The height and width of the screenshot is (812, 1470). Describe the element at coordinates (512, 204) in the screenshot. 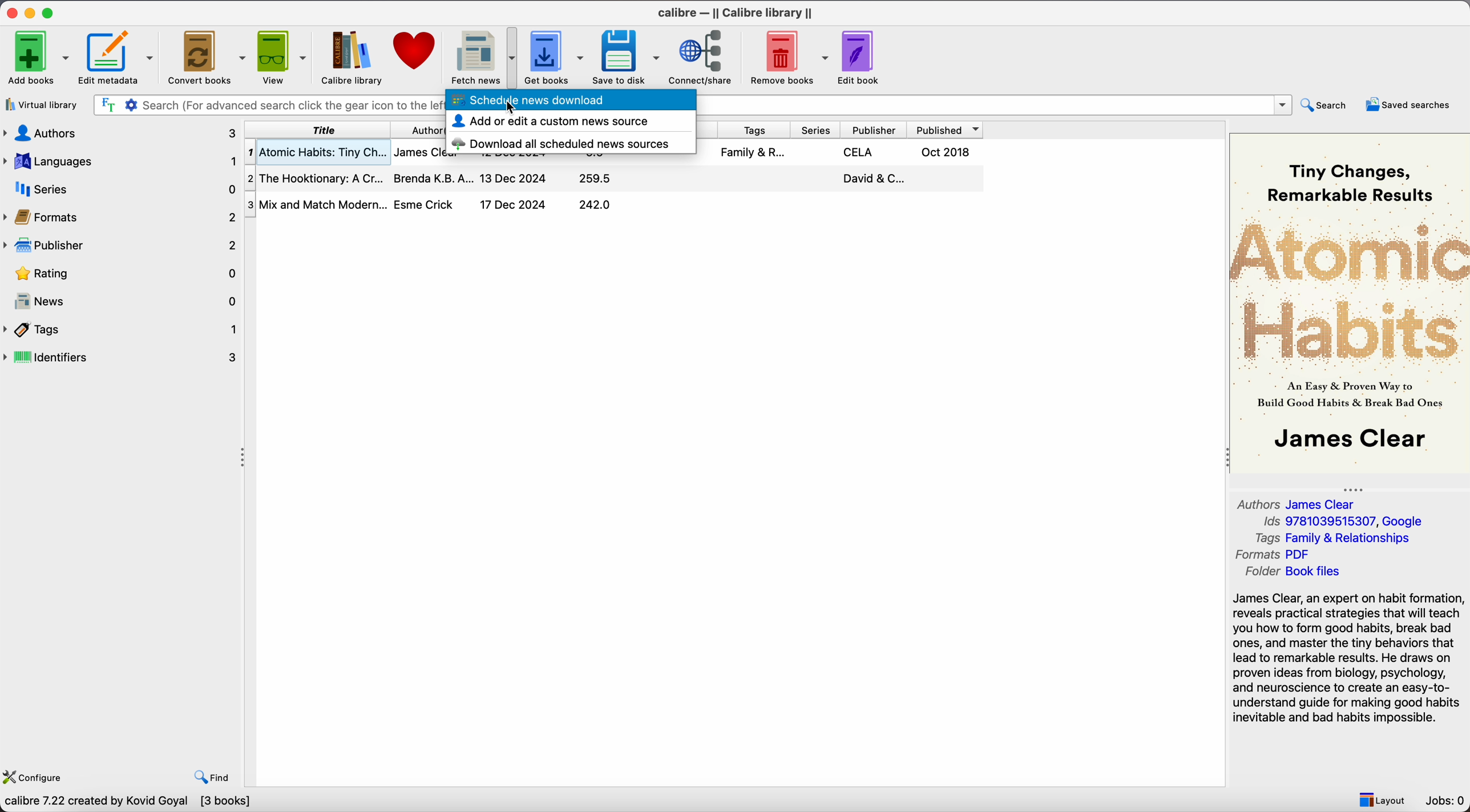

I see `17 Dec 2024` at that location.